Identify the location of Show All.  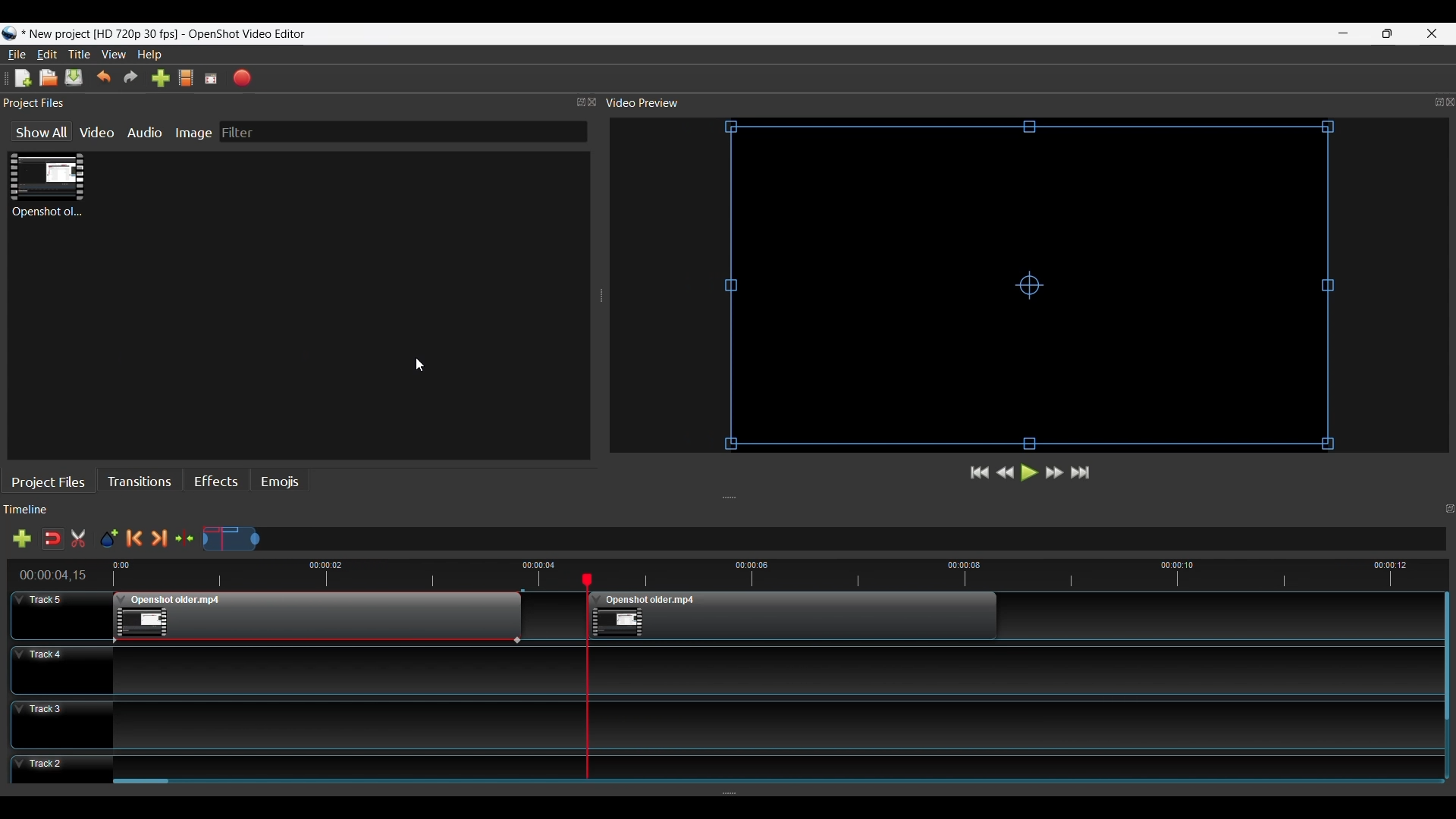
(36, 133).